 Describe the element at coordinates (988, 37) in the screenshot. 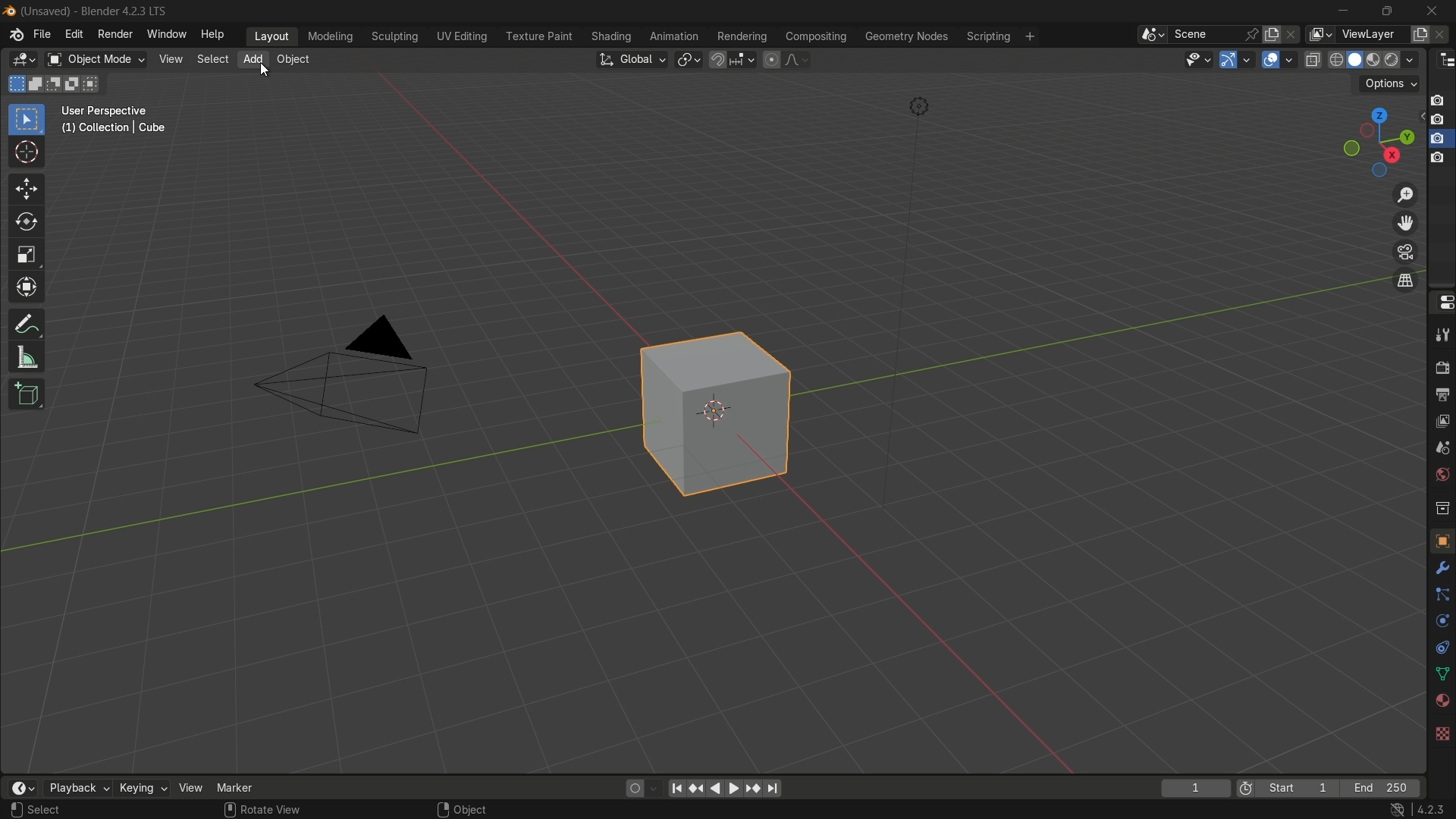

I see `scripting` at that location.